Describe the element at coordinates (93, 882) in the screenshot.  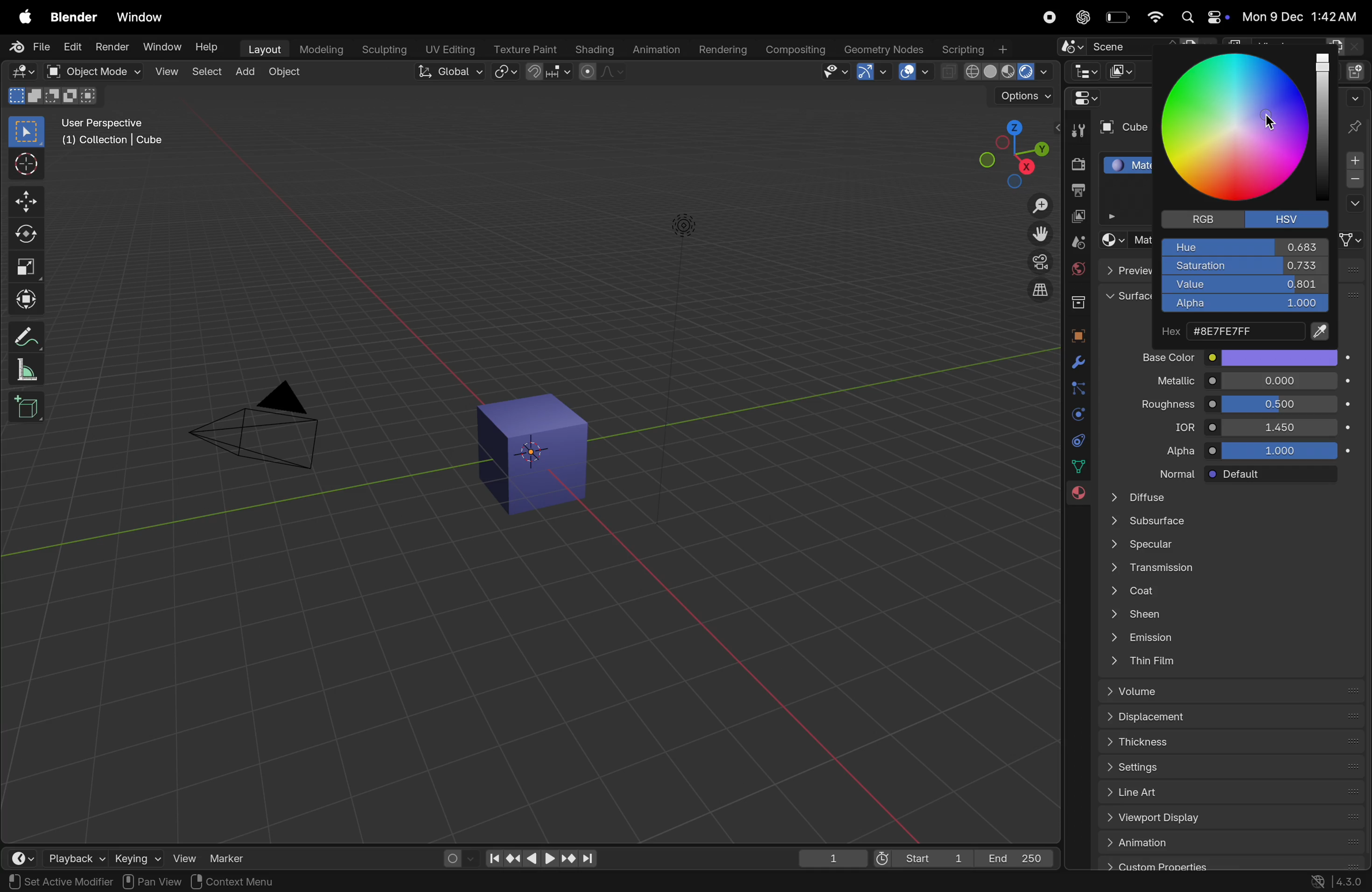
I see `modifier` at that location.